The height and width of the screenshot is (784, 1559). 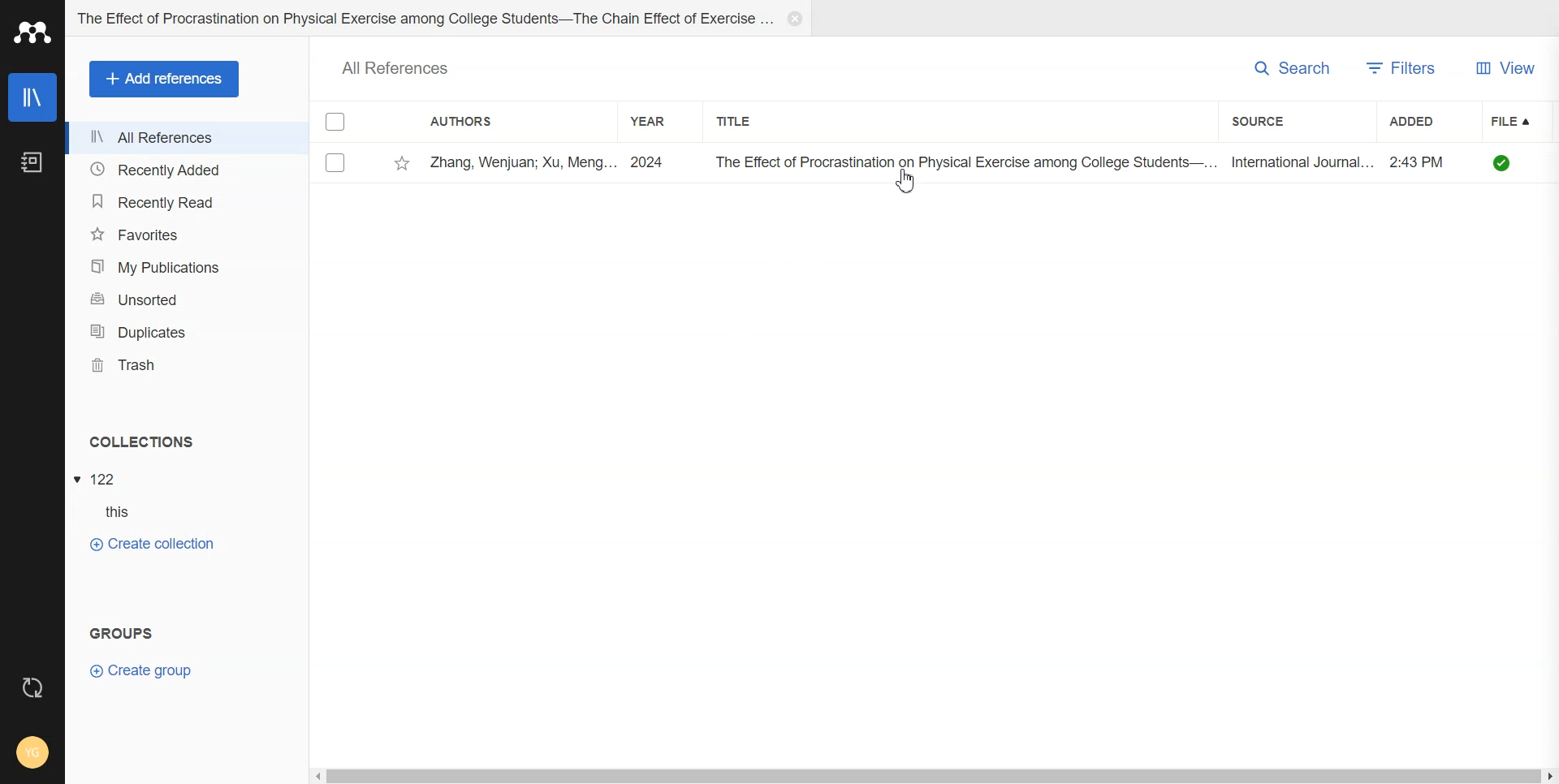 I want to click on Cursor, so click(x=905, y=187).